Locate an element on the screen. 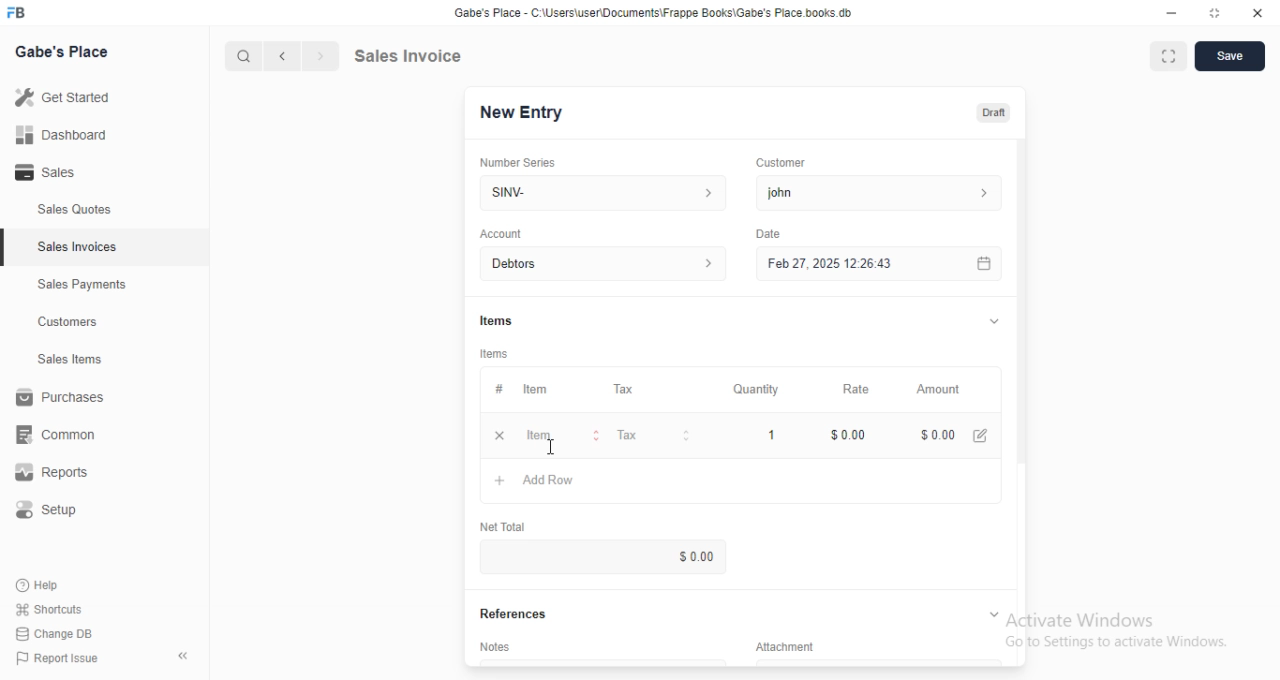 This screenshot has width=1280, height=680. References is located at coordinates (510, 615).